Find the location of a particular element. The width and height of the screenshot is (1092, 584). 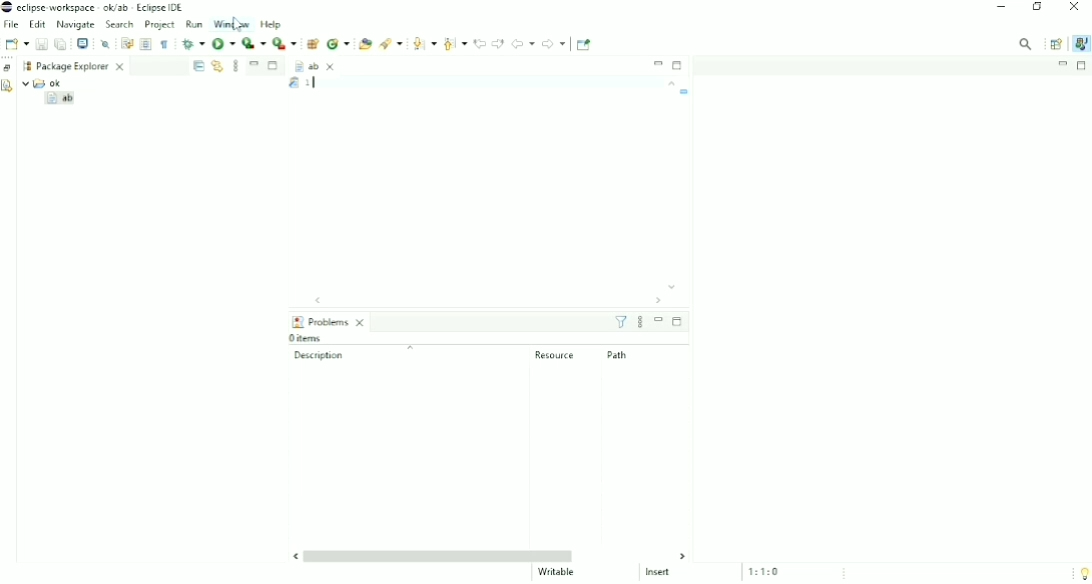

Back is located at coordinates (522, 43).